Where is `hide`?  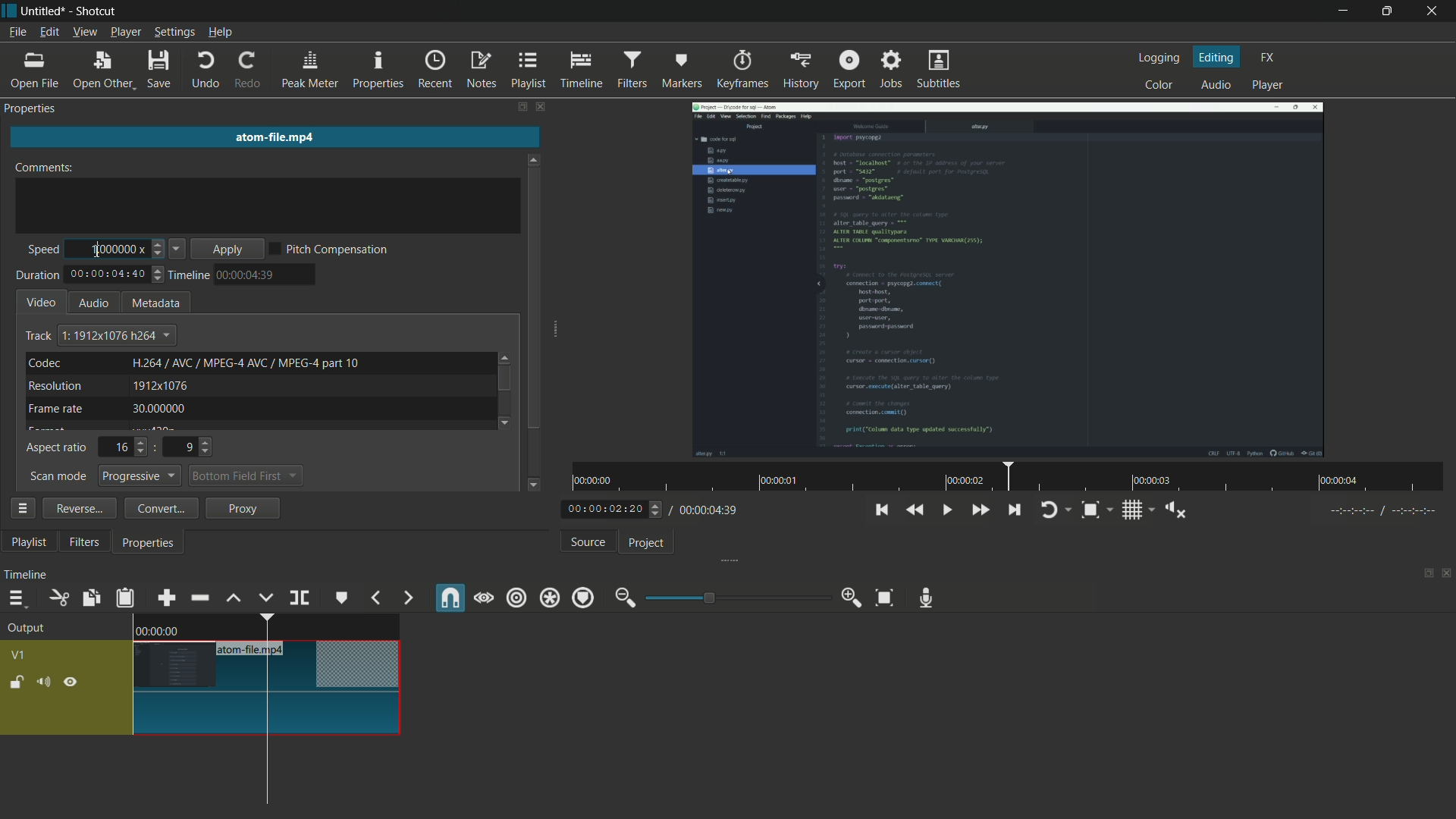
hide is located at coordinates (72, 681).